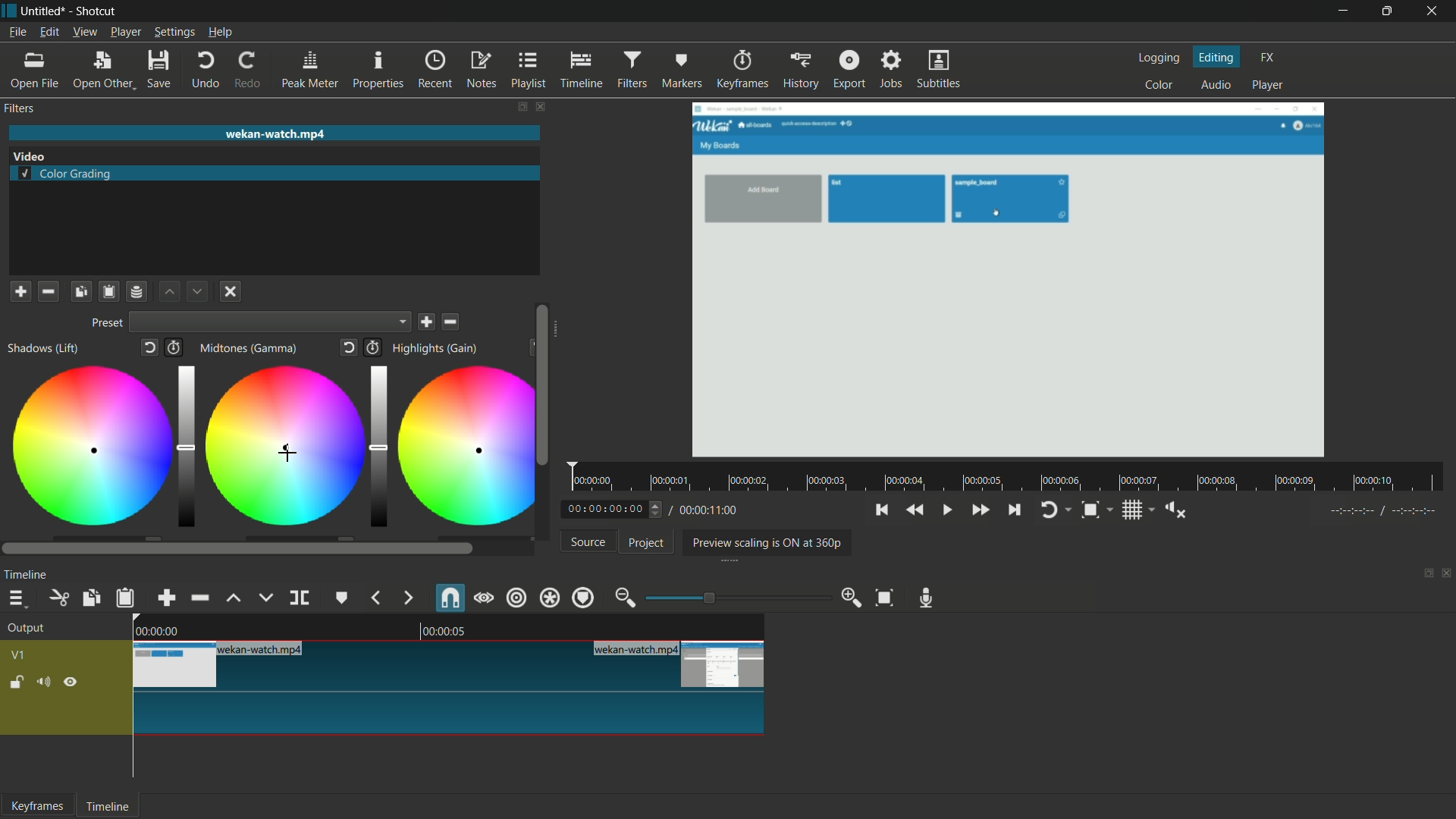  I want to click on previous marker, so click(374, 598).